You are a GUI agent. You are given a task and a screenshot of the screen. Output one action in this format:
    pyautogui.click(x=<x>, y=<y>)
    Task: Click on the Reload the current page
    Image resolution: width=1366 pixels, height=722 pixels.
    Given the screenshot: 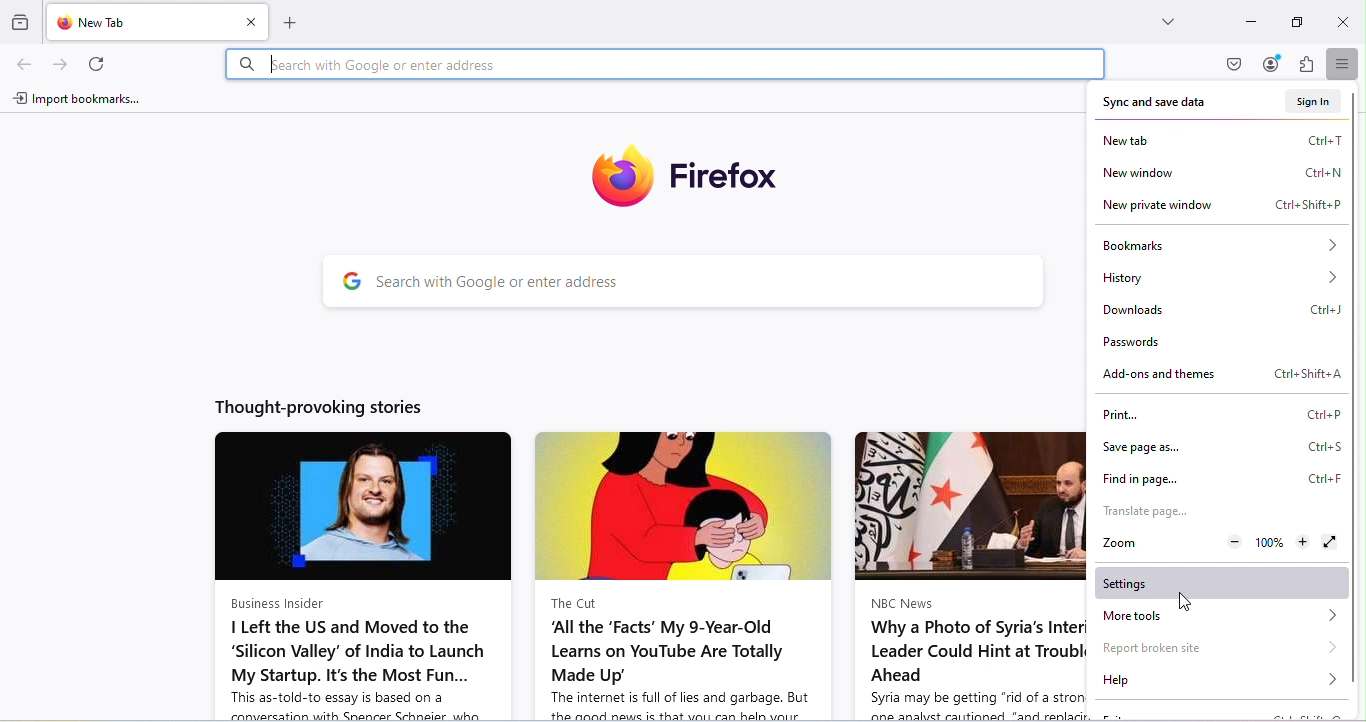 What is the action you would take?
    pyautogui.click(x=96, y=65)
    